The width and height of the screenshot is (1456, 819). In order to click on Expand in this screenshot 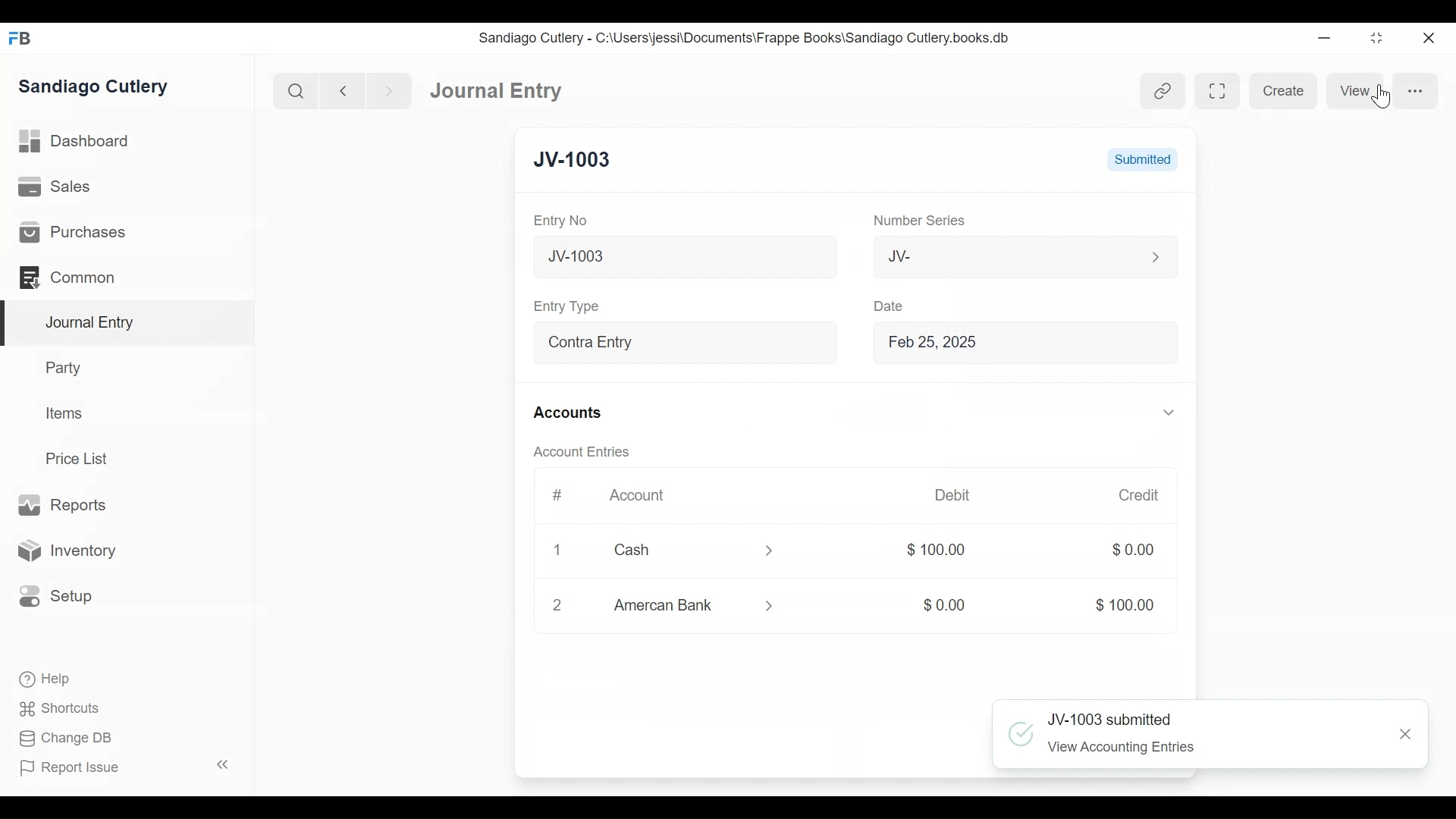, I will do `click(1153, 256)`.